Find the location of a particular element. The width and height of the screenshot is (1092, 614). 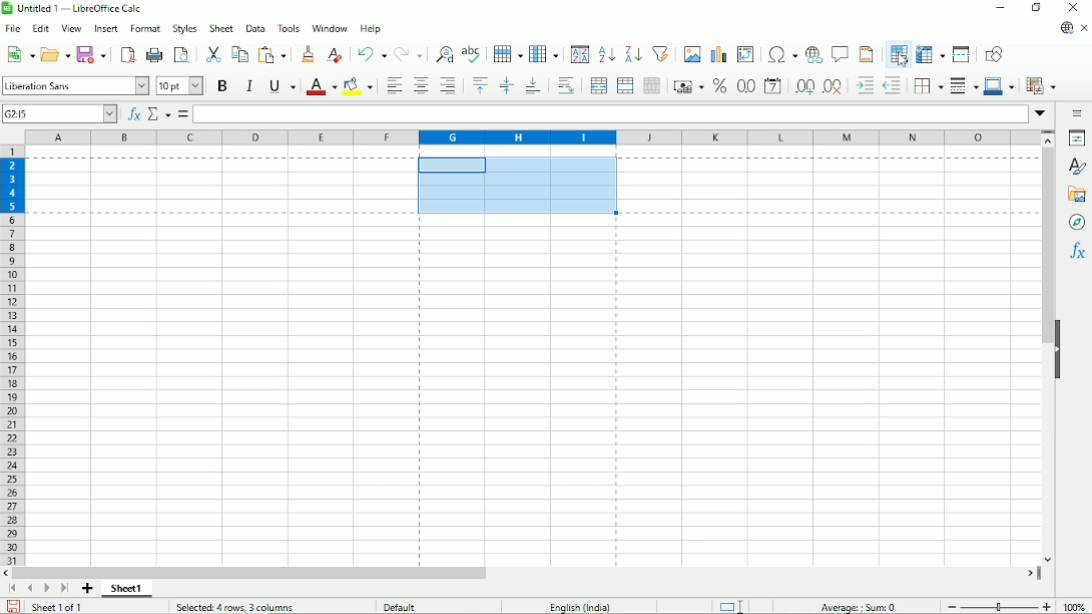

Italic is located at coordinates (249, 86).